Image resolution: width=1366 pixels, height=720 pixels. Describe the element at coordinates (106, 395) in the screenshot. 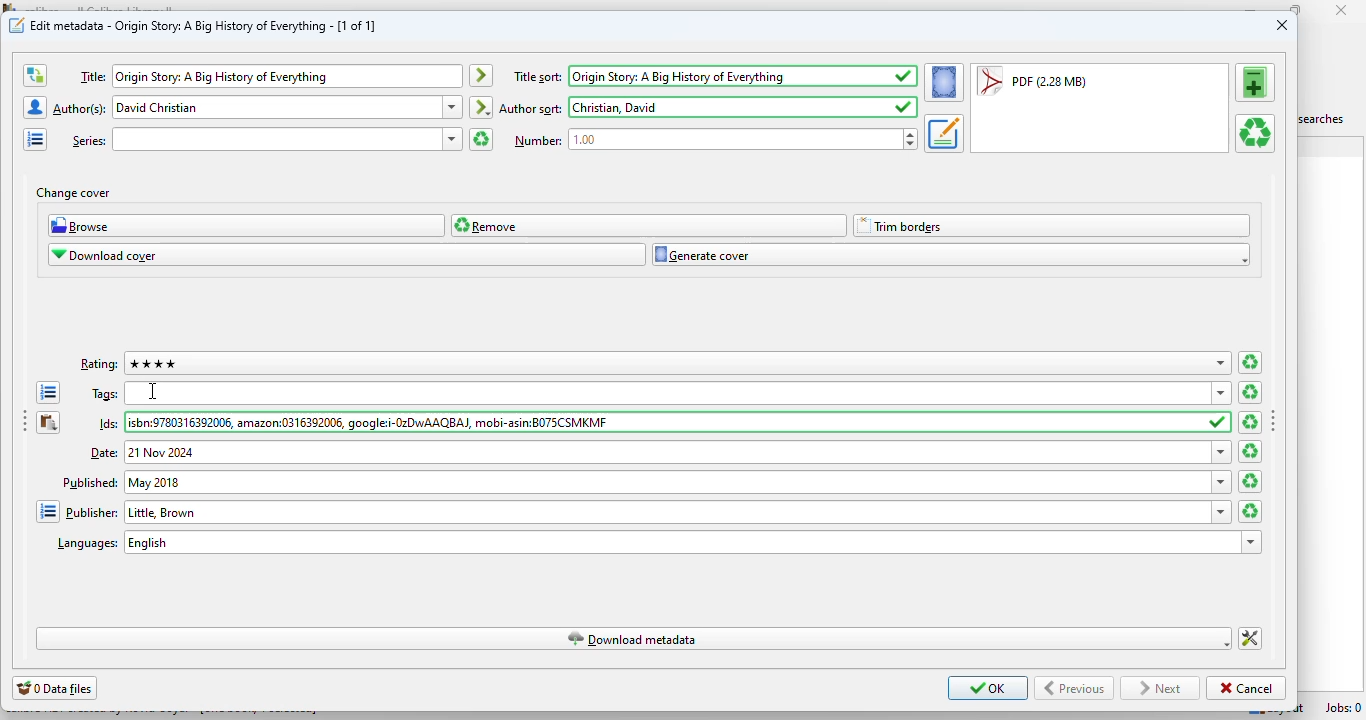

I see `text` at that location.